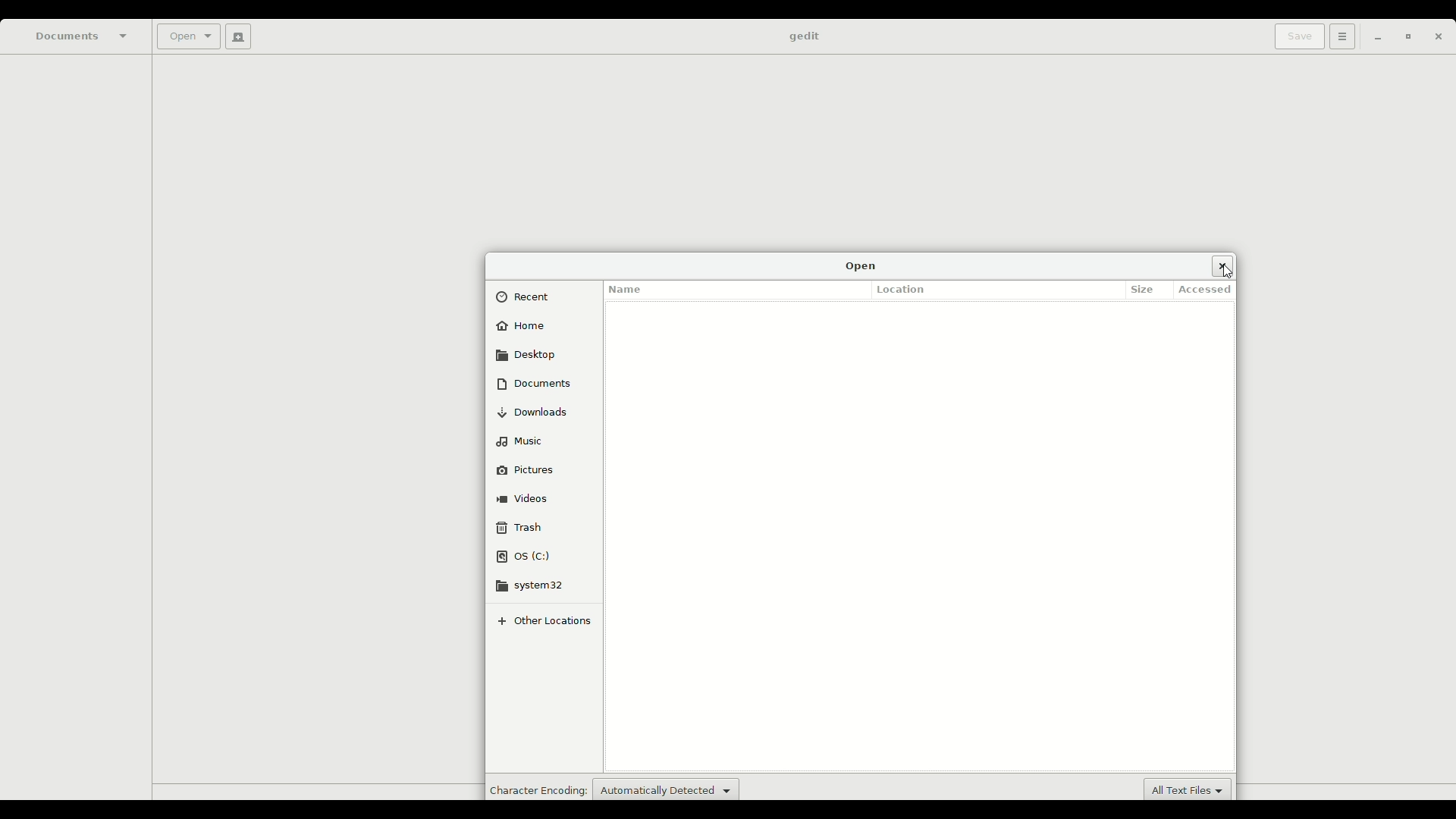 The width and height of the screenshot is (1456, 819). I want to click on Location, so click(905, 289).